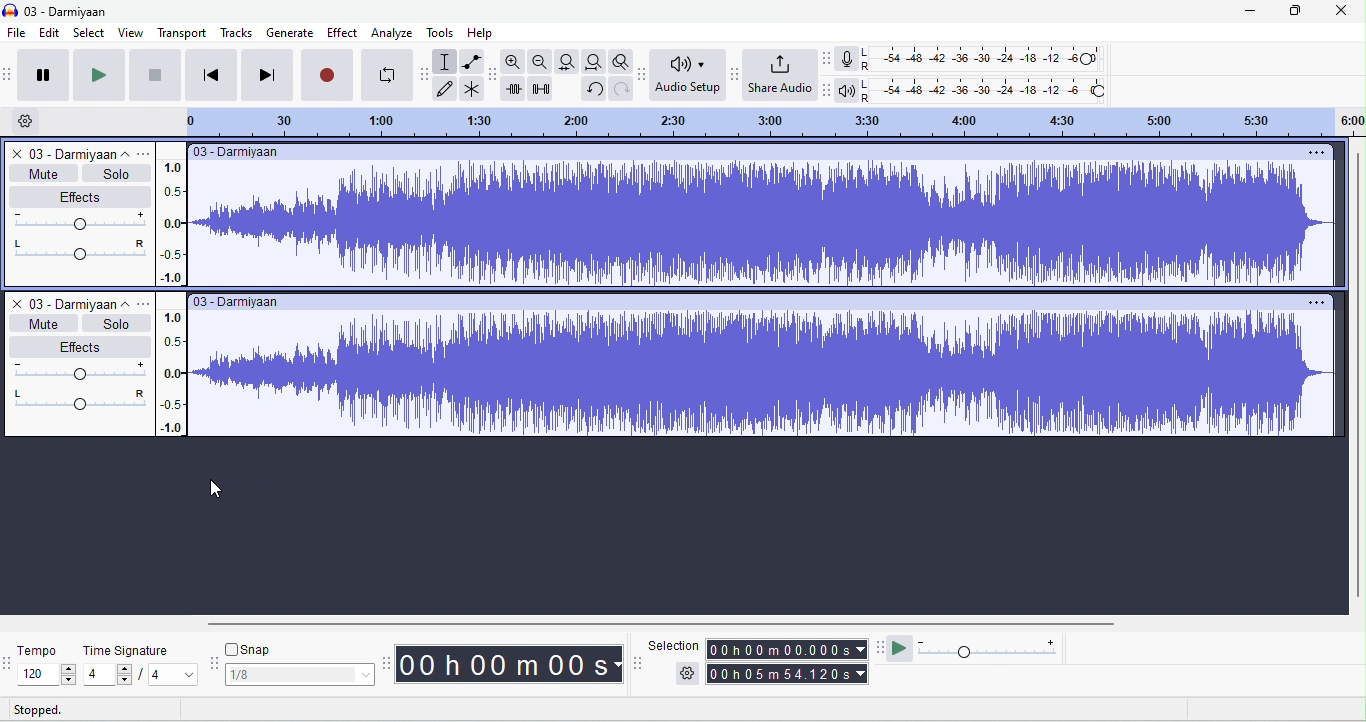 The height and width of the screenshot is (722, 1366). What do you see at coordinates (439, 32) in the screenshot?
I see `tools` at bounding box center [439, 32].